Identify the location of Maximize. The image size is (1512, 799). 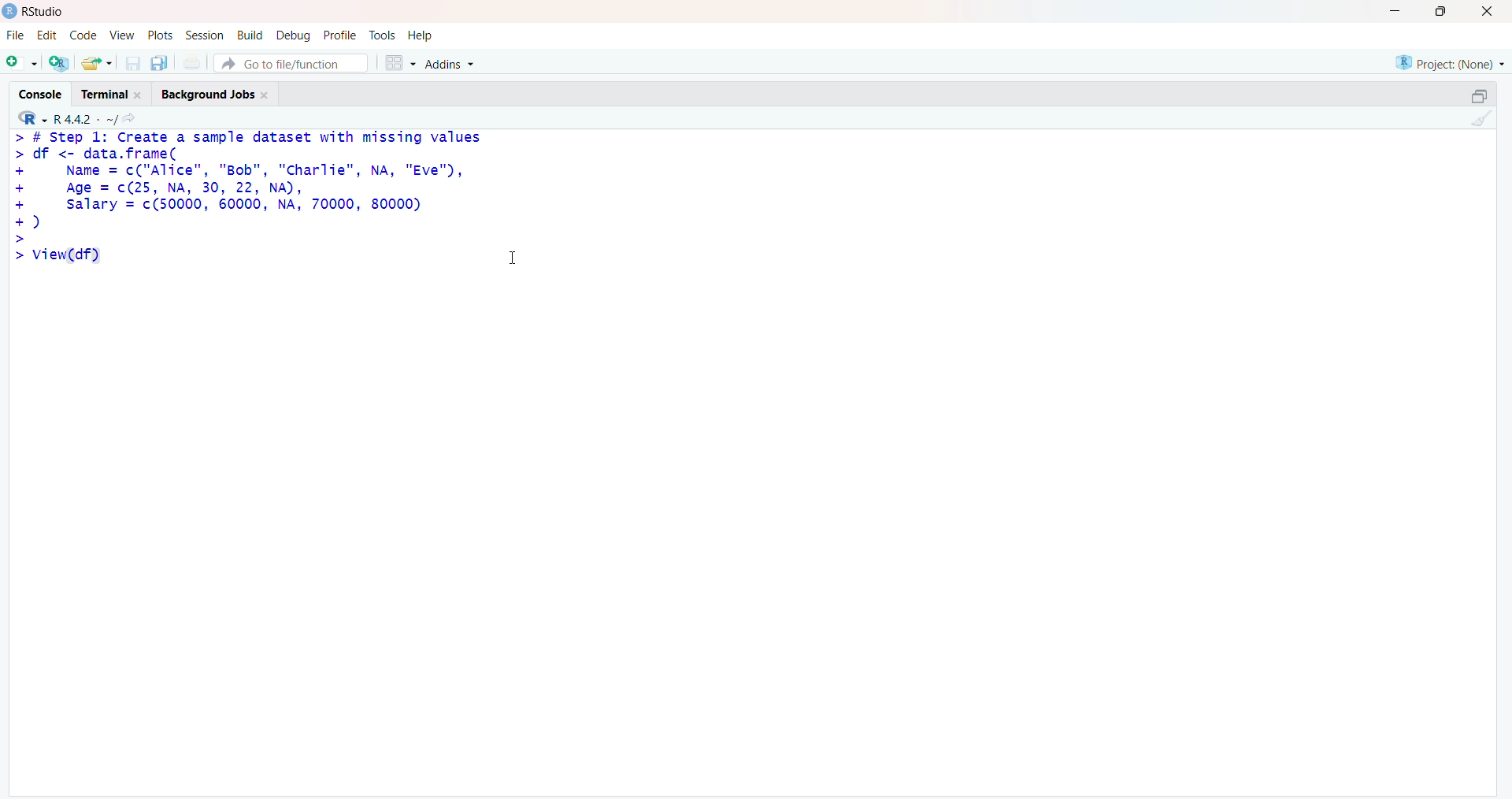
(1444, 12).